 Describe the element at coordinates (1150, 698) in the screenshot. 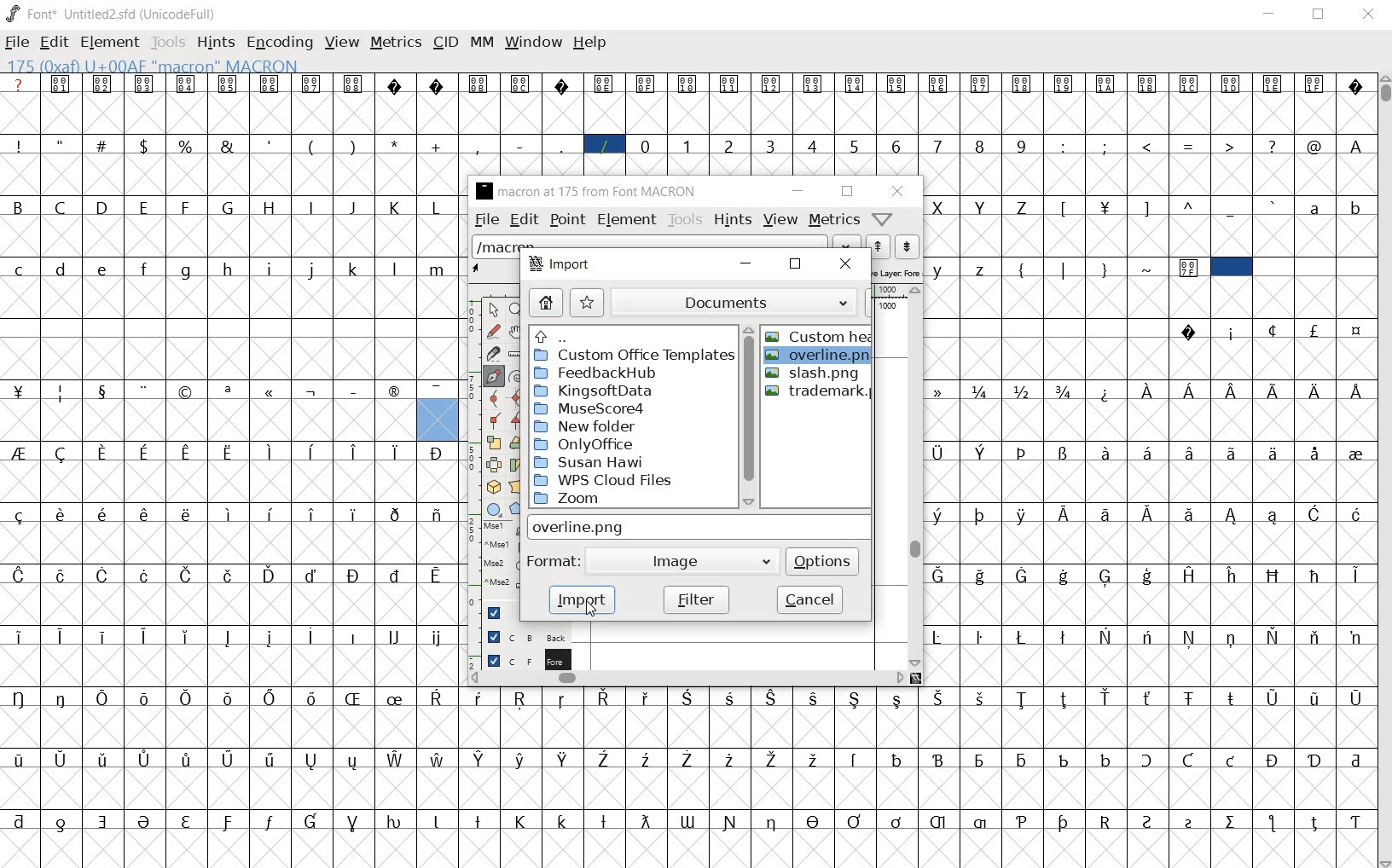

I see `Symbol` at that location.